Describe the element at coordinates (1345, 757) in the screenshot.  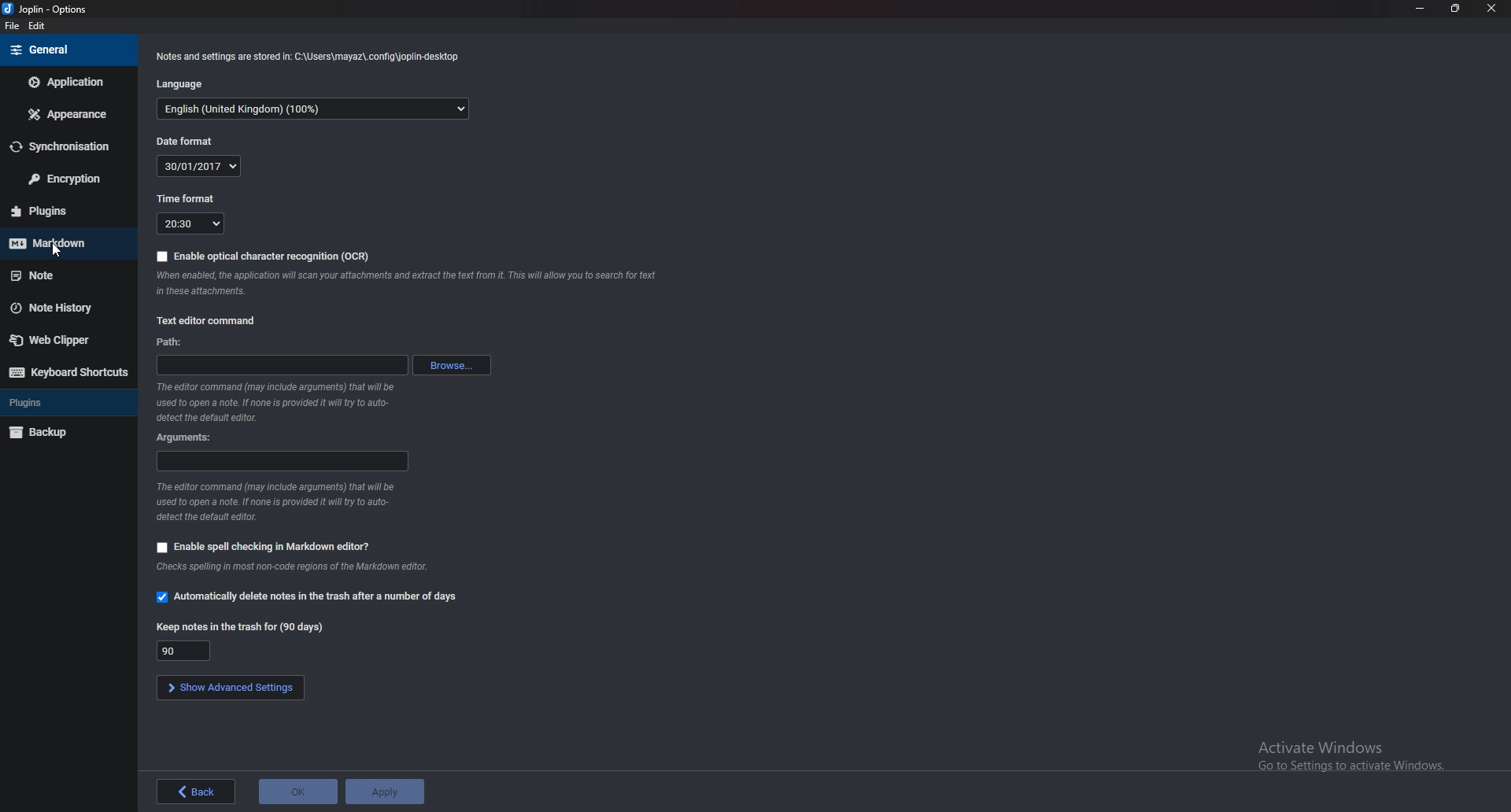
I see `Activate Windows
Go to Settings to activate Windows.` at that location.